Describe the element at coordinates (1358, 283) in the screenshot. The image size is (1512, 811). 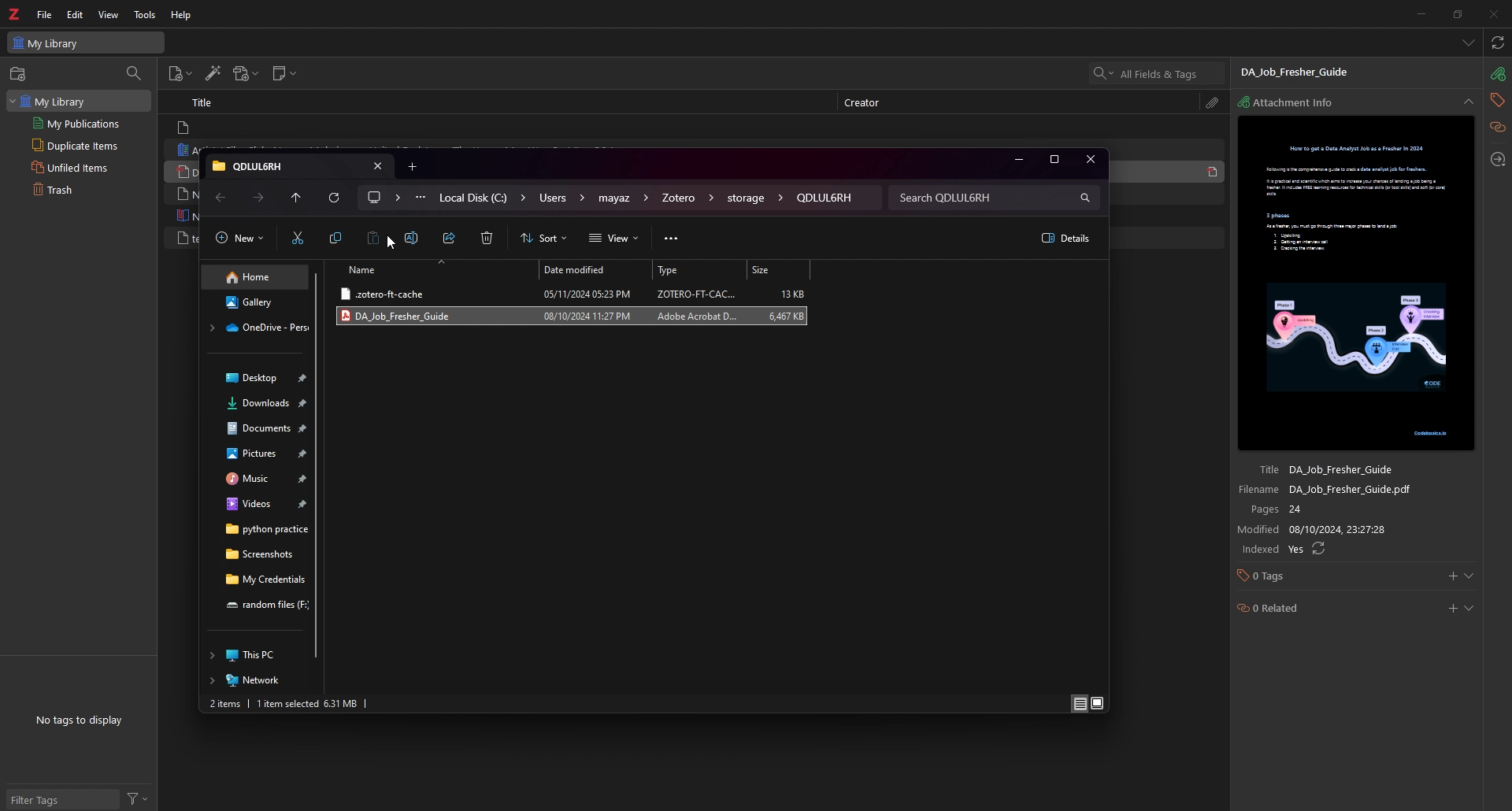
I see `file preview` at that location.